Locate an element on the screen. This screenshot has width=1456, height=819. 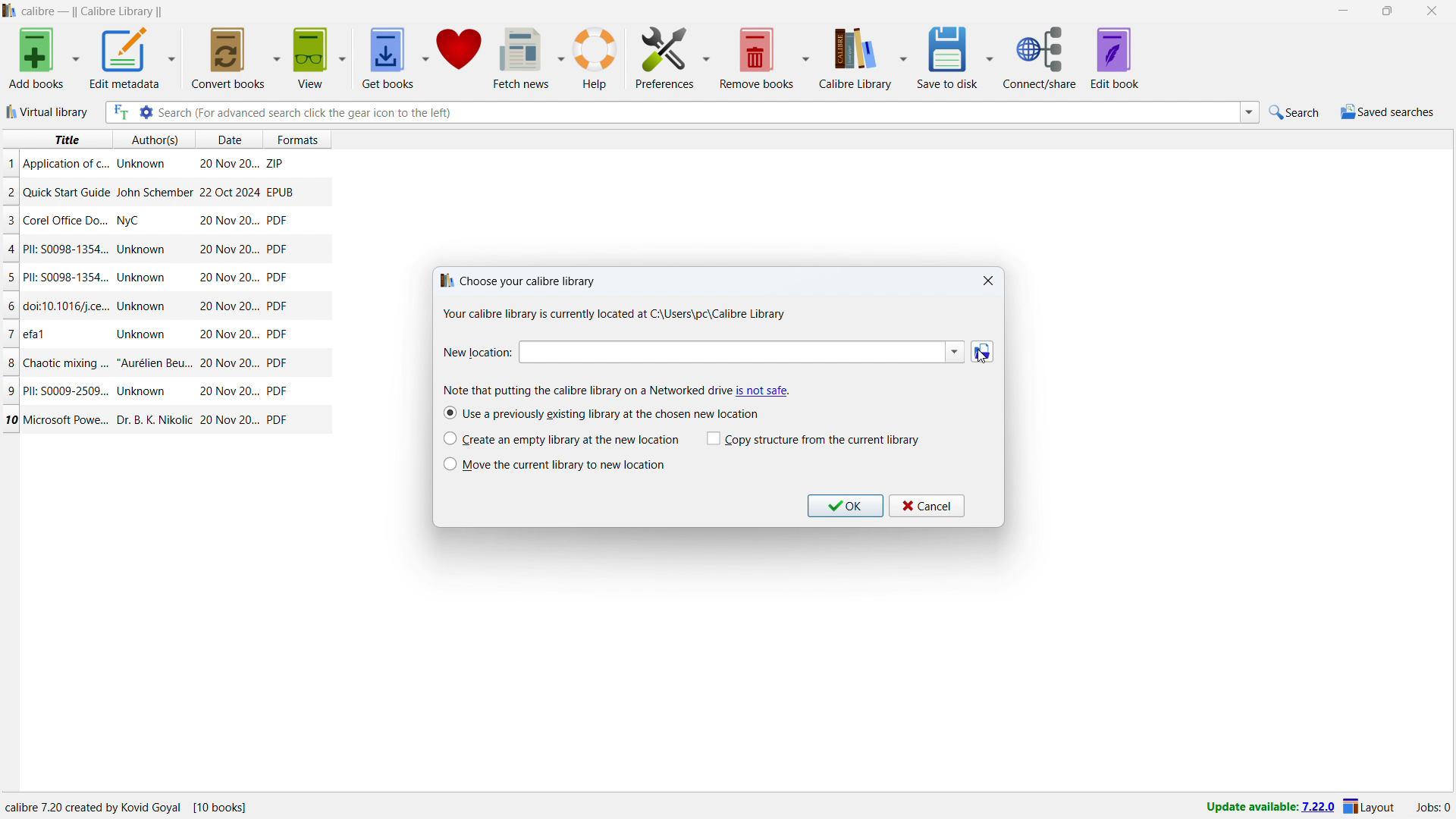
Date is located at coordinates (229, 165).